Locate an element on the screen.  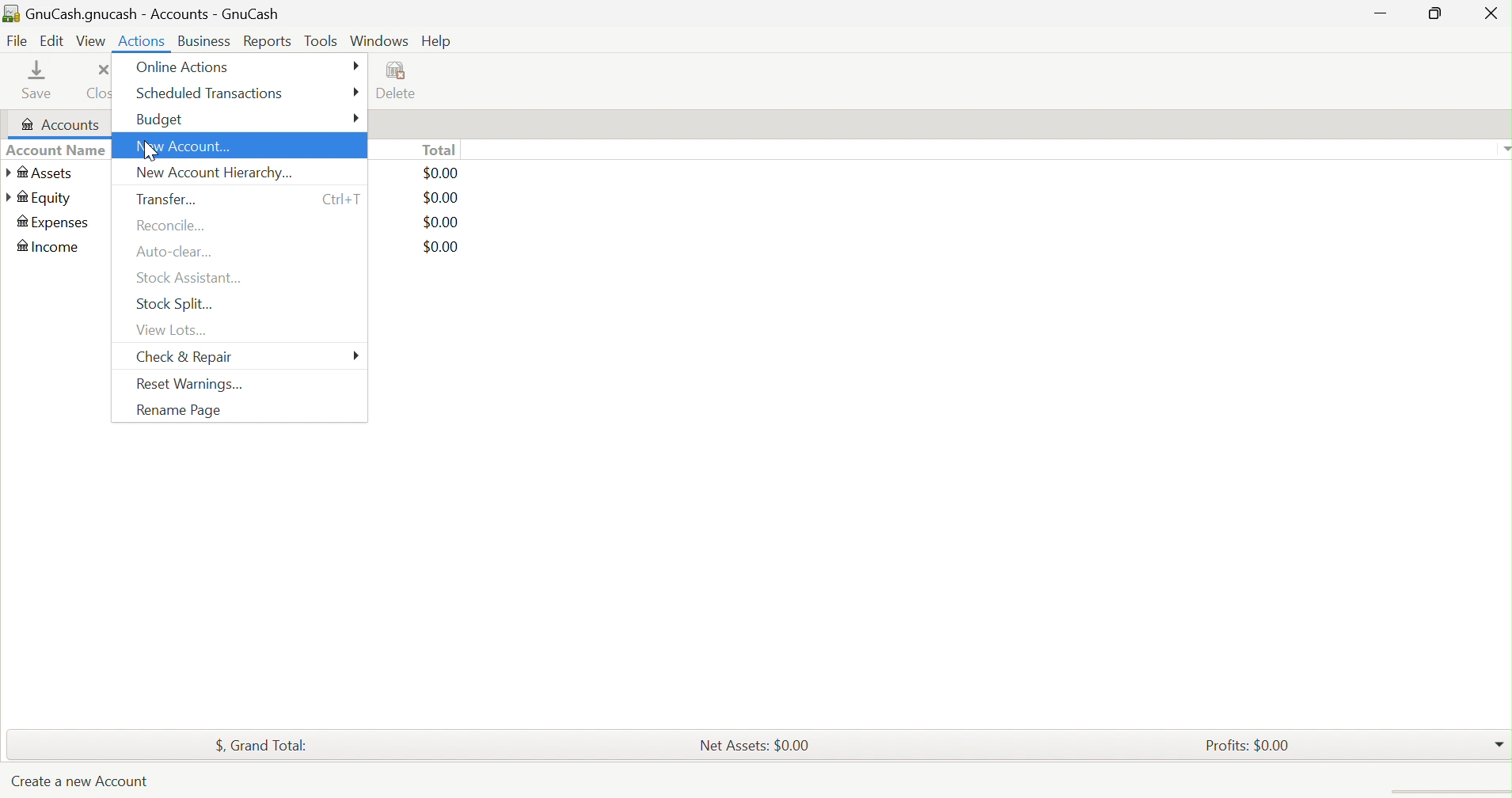
Tools is located at coordinates (322, 41).